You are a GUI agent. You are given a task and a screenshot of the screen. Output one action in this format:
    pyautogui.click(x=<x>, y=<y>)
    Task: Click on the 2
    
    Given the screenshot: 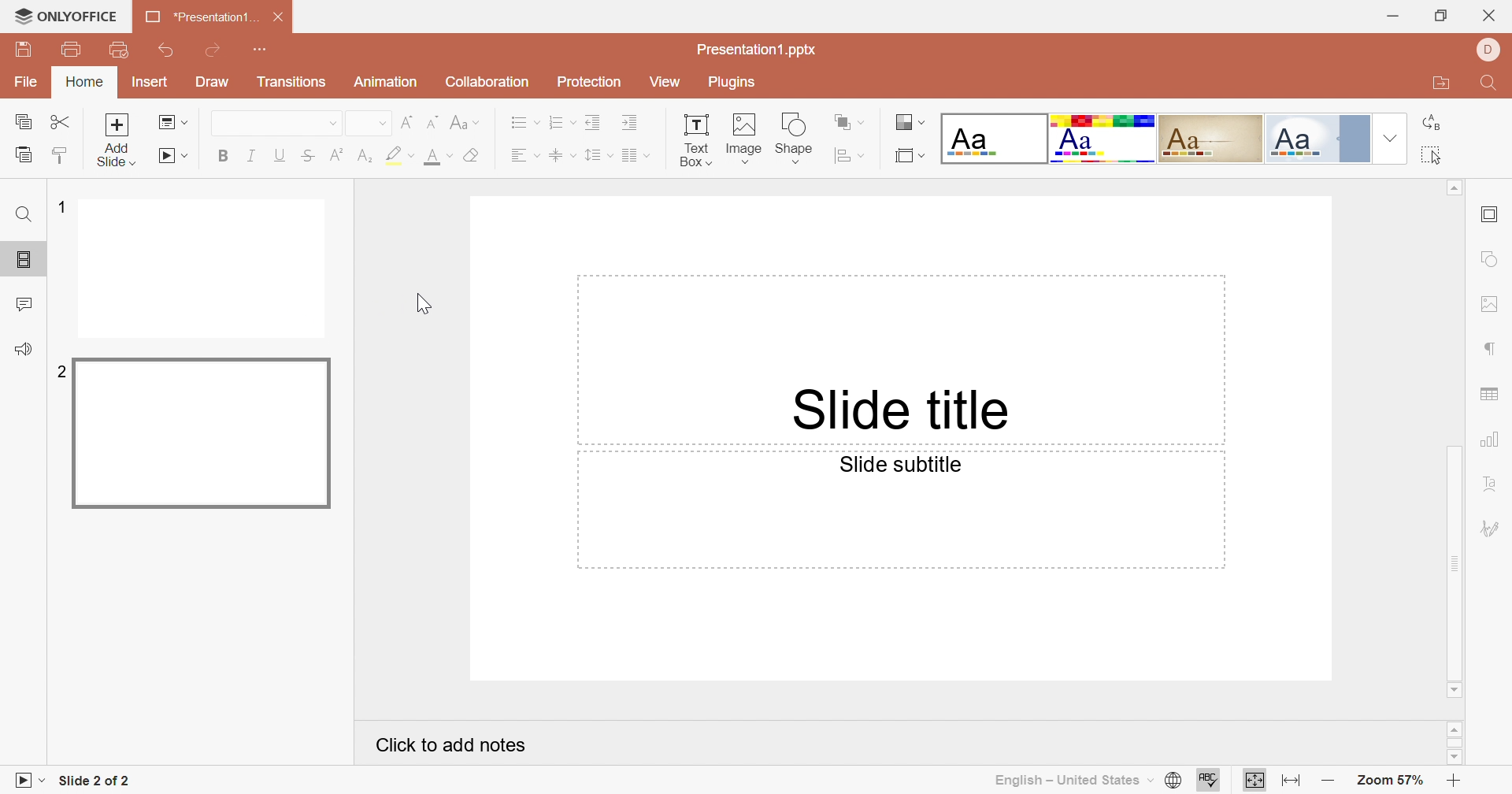 What is the action you would take?
    pyautogui.click(x=61, y=372)
    